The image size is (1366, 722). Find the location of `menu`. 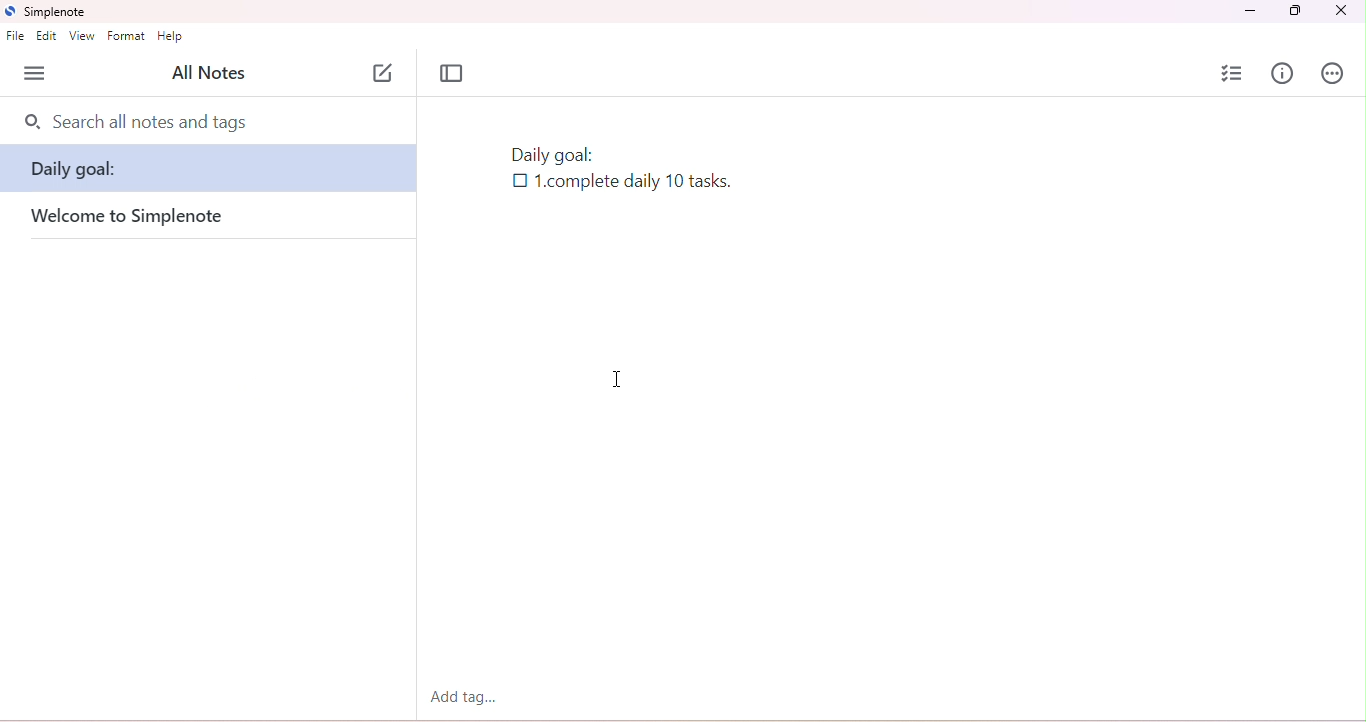

menu is located at coordinates (35, 73).